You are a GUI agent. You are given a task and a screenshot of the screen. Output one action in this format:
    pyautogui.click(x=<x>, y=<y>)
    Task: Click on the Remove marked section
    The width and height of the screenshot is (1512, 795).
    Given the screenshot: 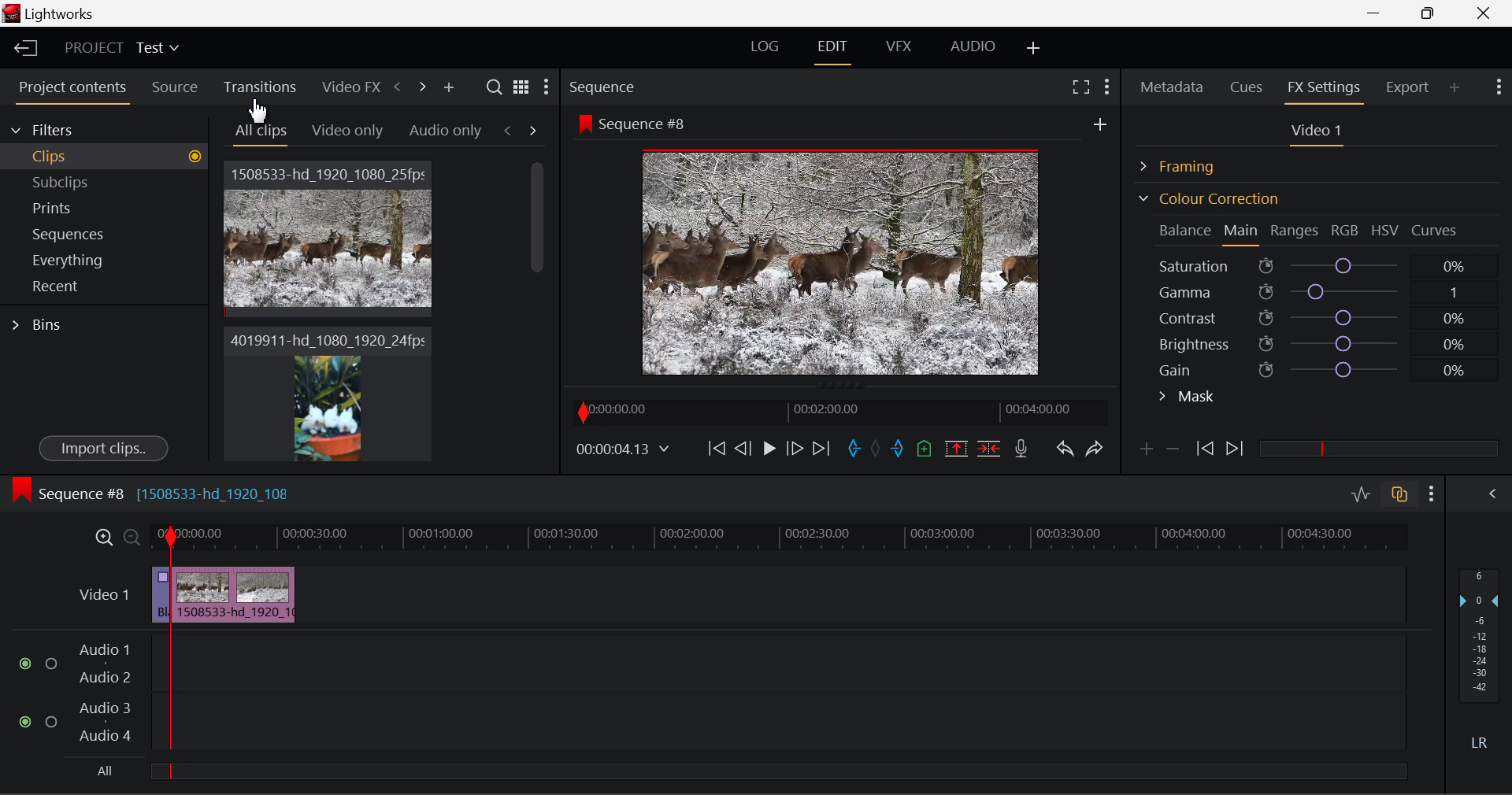 What is the action you would take?
    pyautogui.click(x=955, y=447)
    